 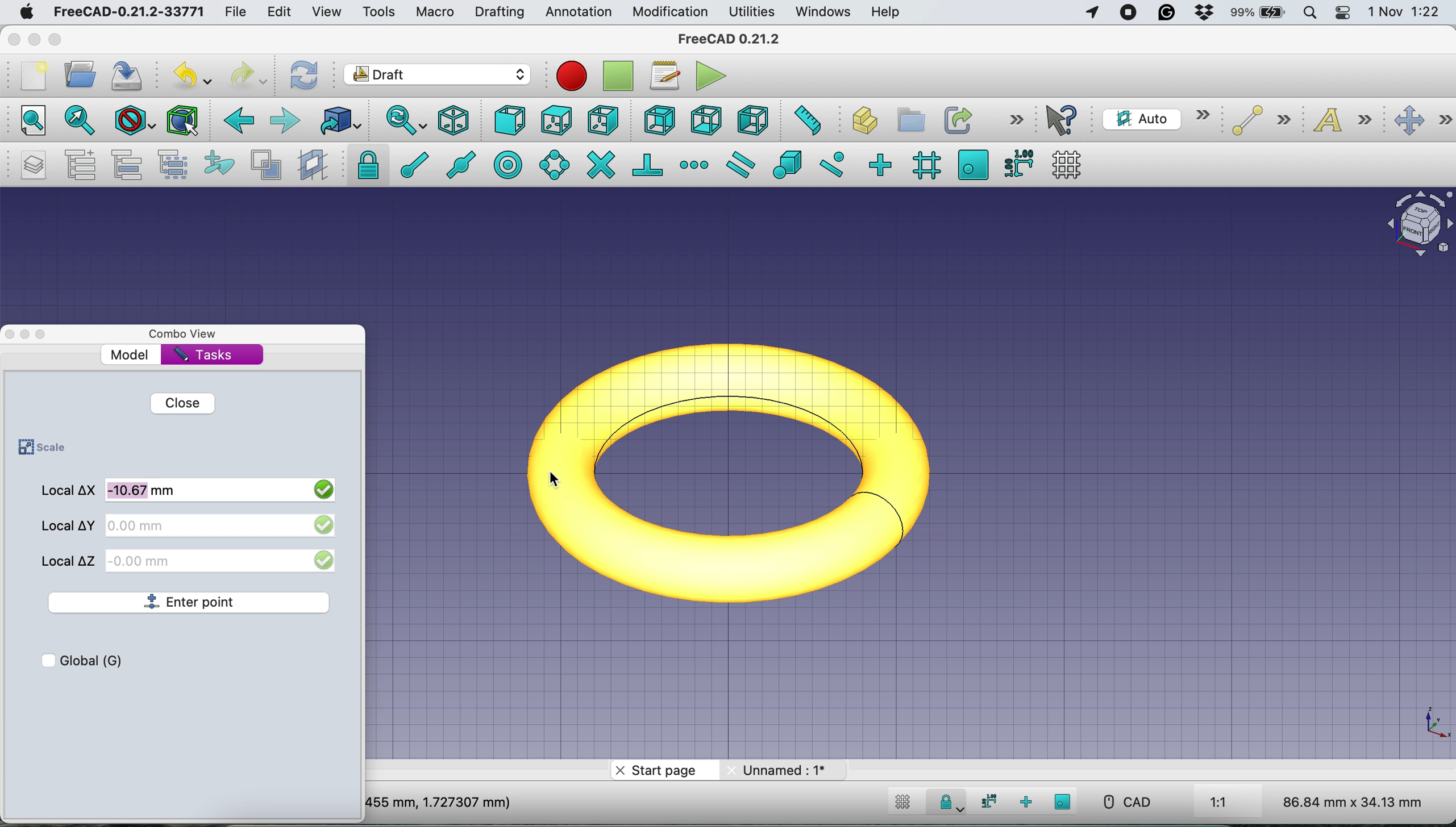 I want to click on snap endpoint, so click(x=411, y=164).